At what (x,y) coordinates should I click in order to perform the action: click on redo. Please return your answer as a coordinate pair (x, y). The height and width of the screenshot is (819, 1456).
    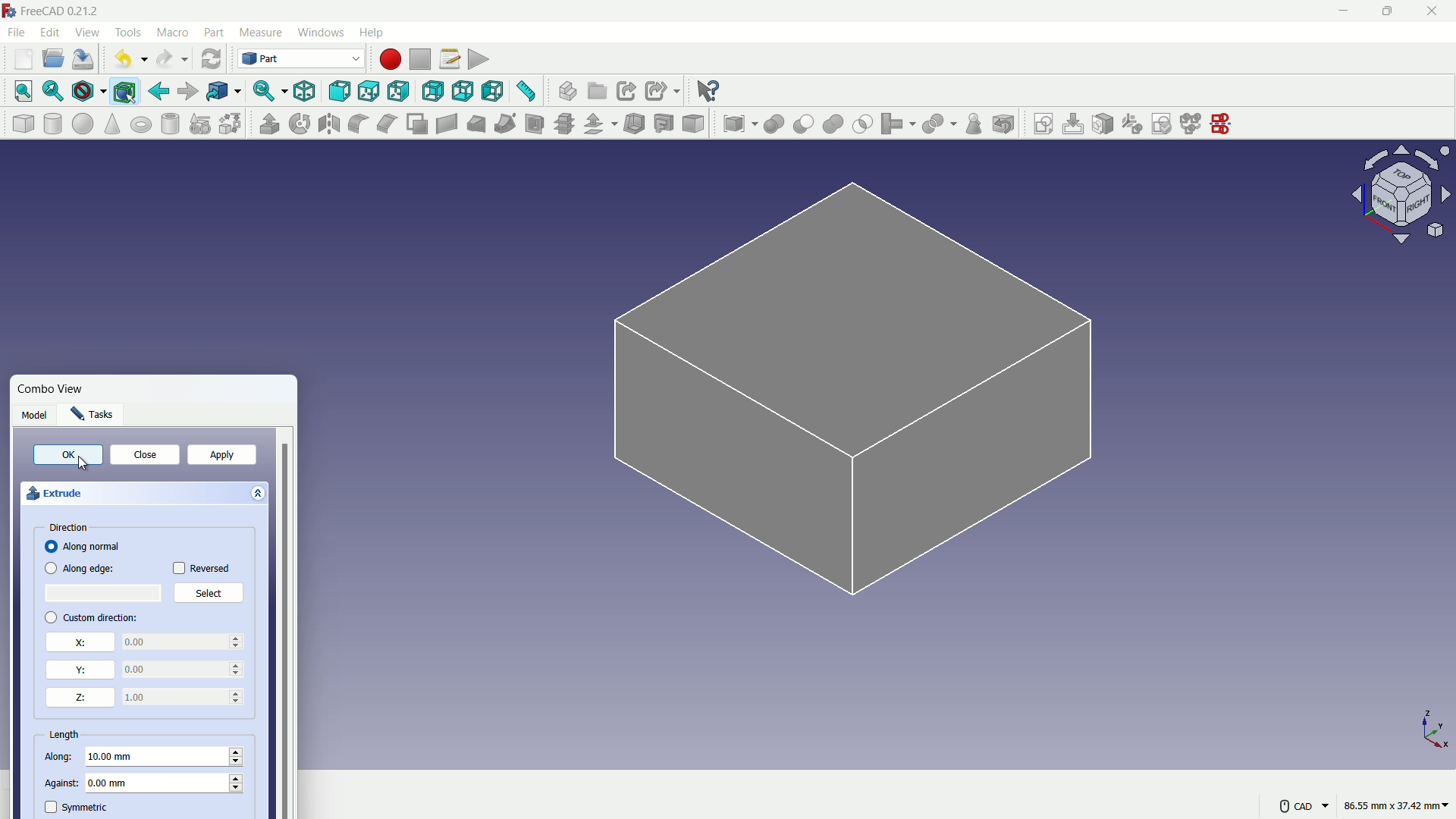
    Looking at the image, I should click on (171, 58).